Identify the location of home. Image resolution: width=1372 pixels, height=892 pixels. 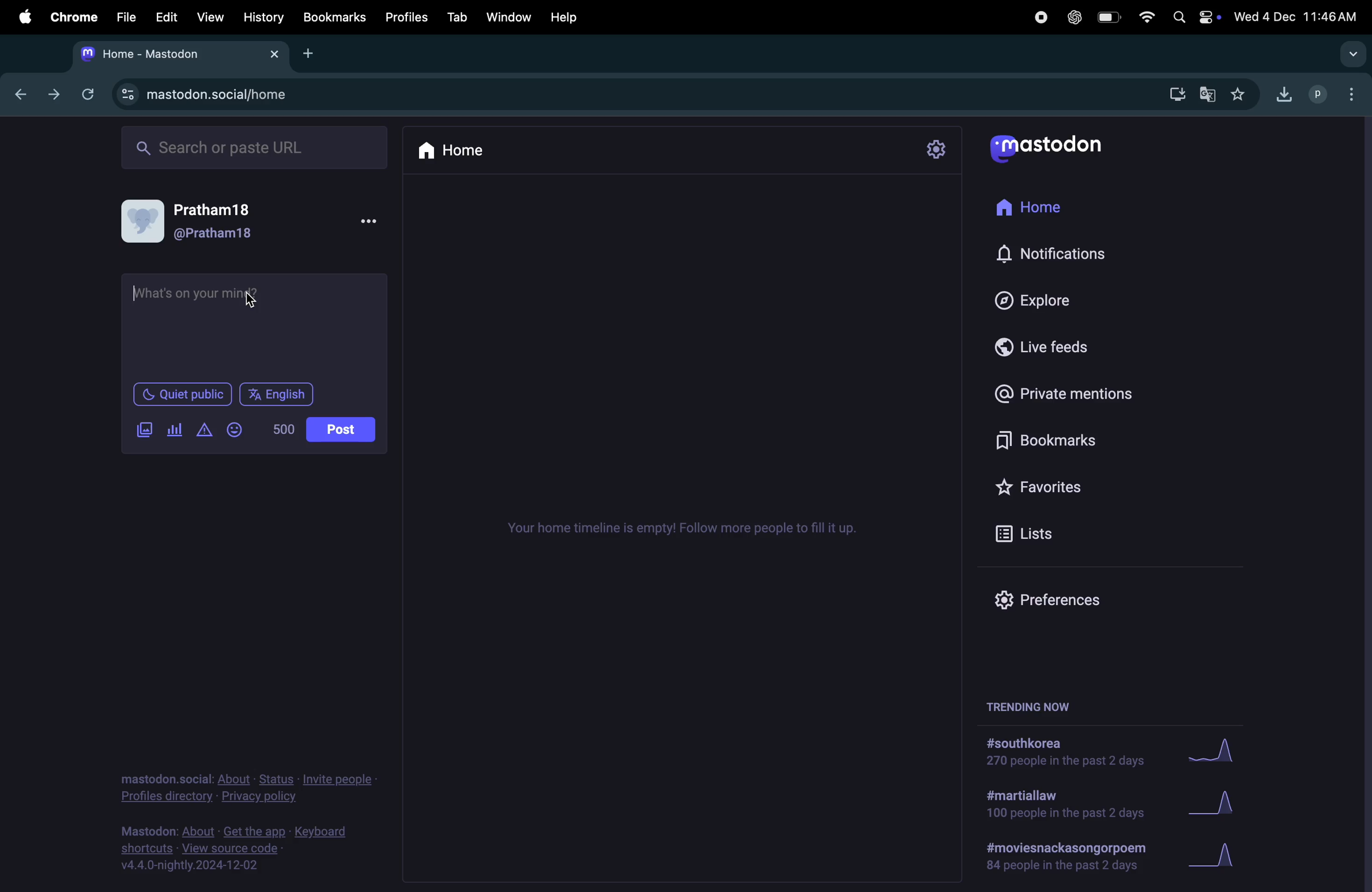
(1034, 209).